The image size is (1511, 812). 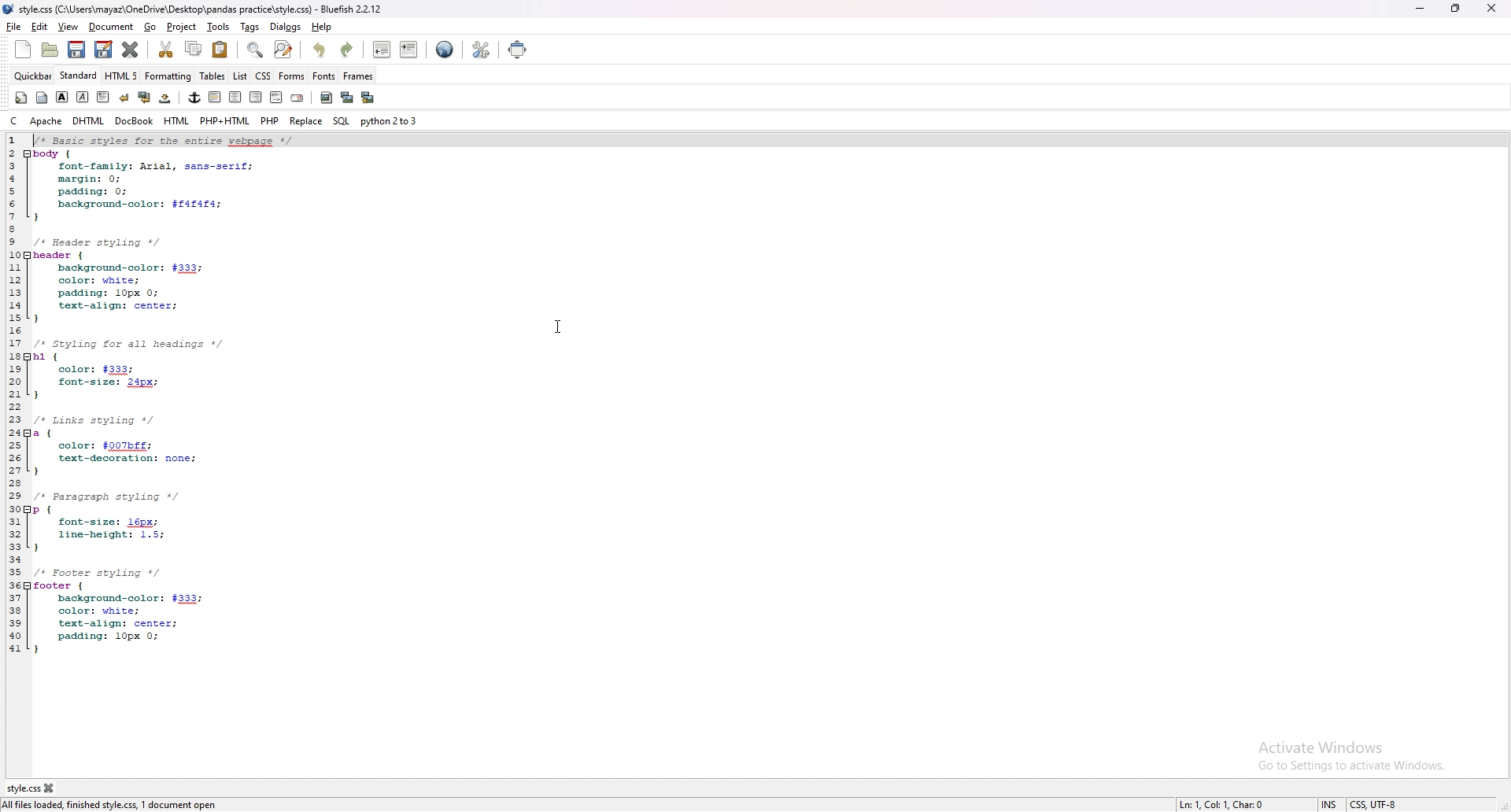 I want to click on standard, so click(x=78, y=76).